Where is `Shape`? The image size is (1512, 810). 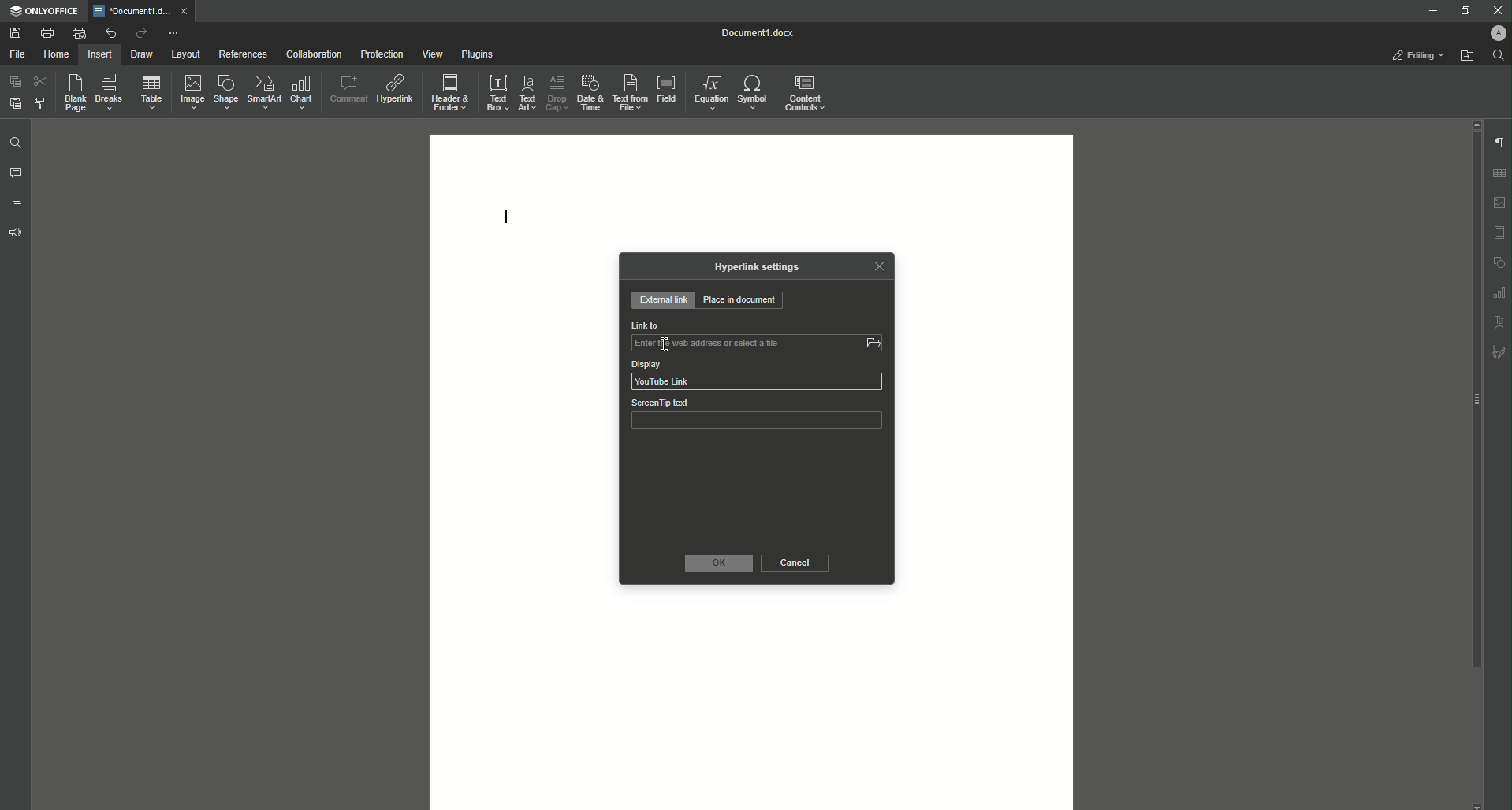 Shape is located at coordinates (225, 91).